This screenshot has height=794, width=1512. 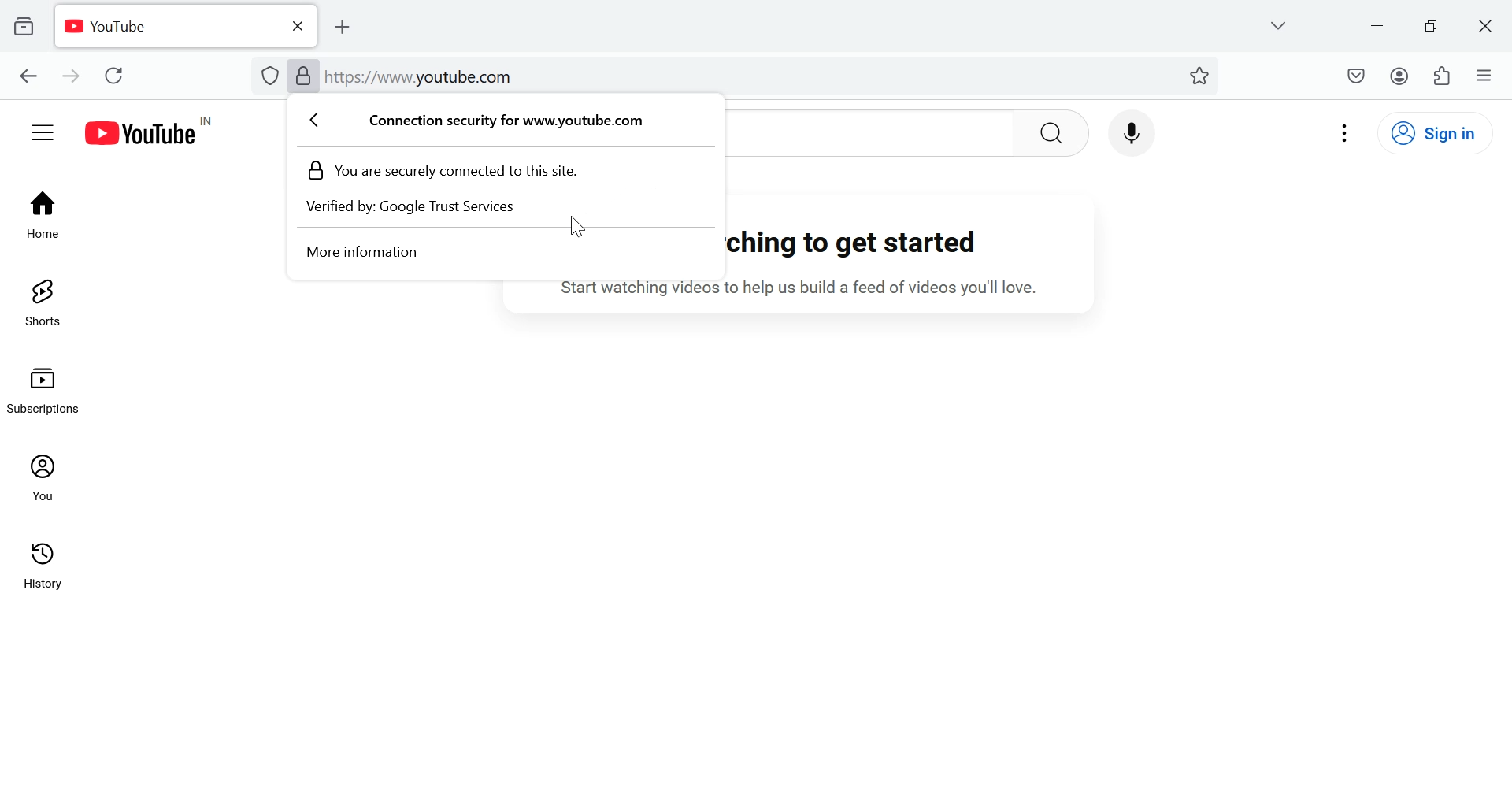 What do you see at coordinates (1484, 74) in the screenshot?
I see `Open application menu` at bounding box center [1484, 74].